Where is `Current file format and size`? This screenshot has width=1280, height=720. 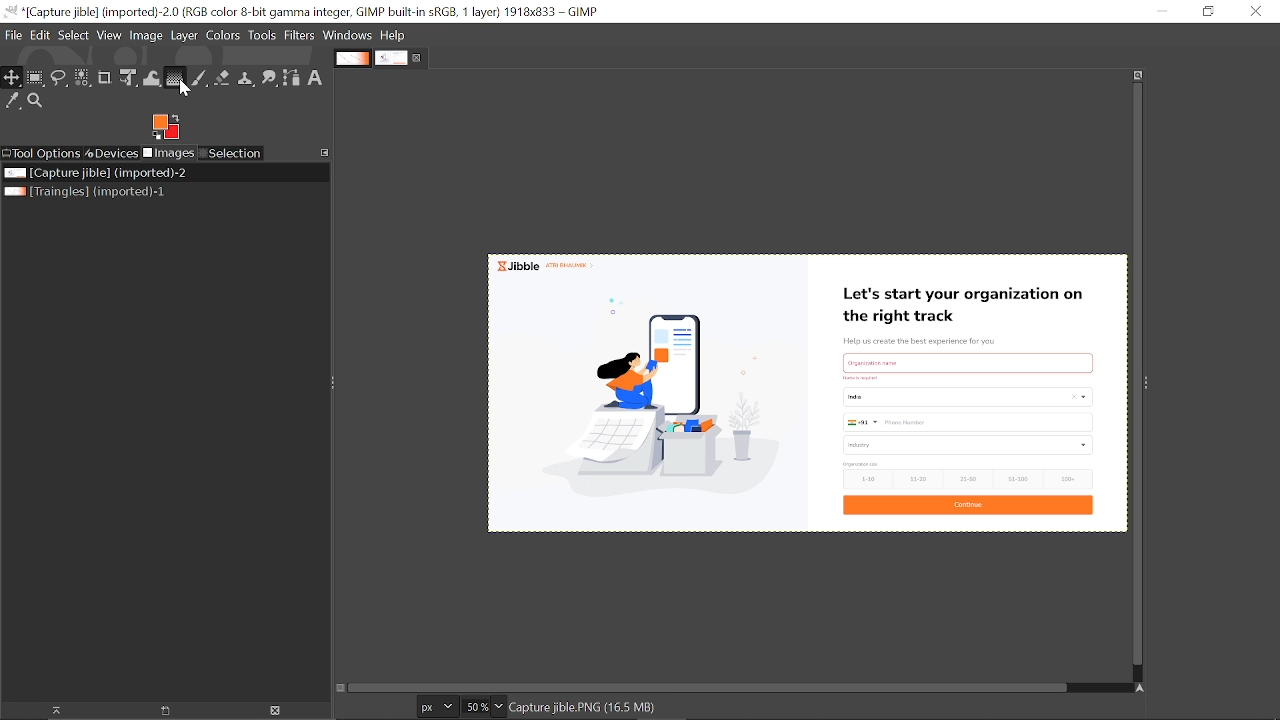
Current file format and size is located at coordinates (583, 708).